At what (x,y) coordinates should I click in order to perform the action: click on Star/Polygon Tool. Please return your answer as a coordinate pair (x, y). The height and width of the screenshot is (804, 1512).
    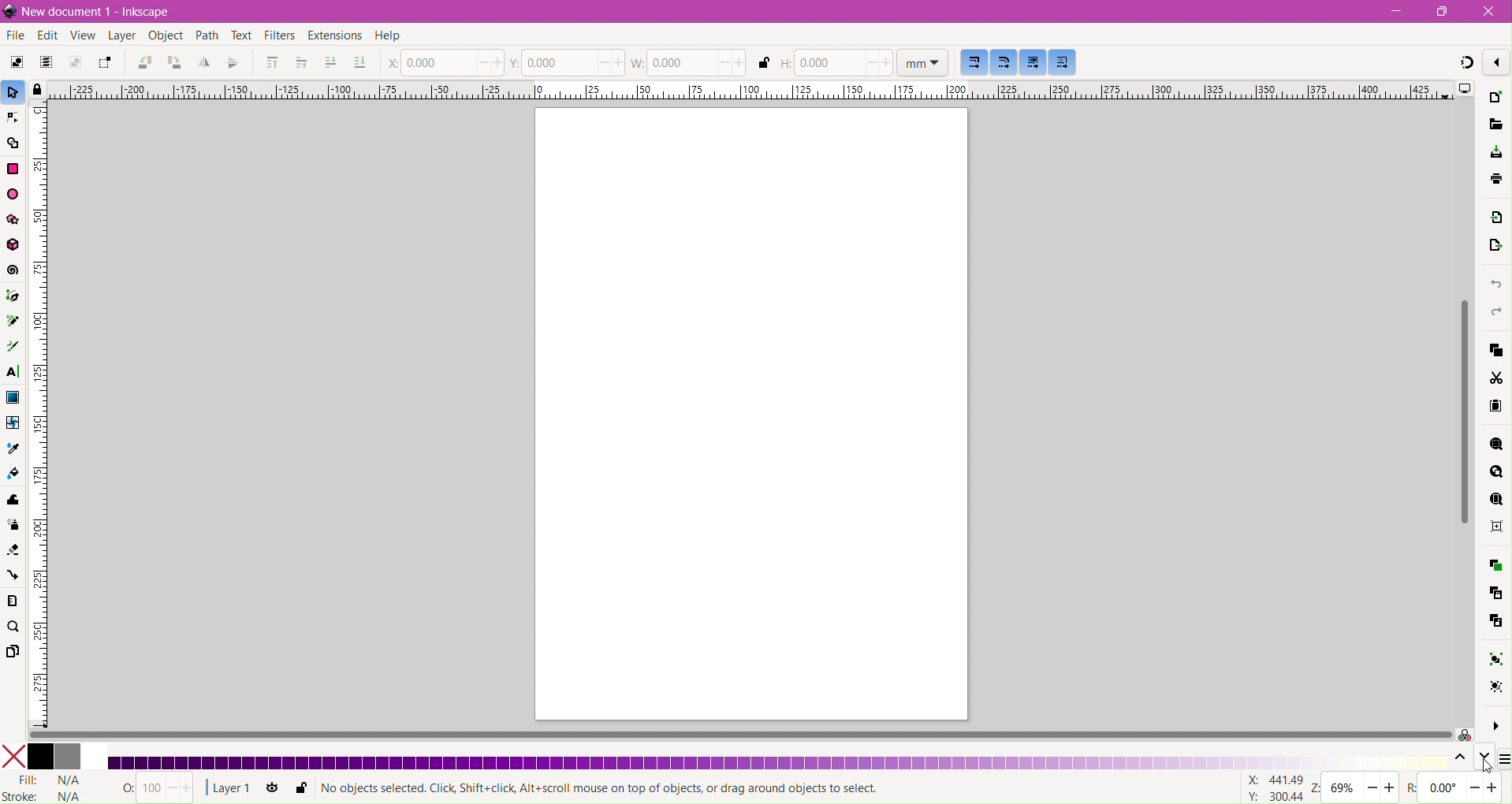
    Looking at the image, I should click on (13, 219).